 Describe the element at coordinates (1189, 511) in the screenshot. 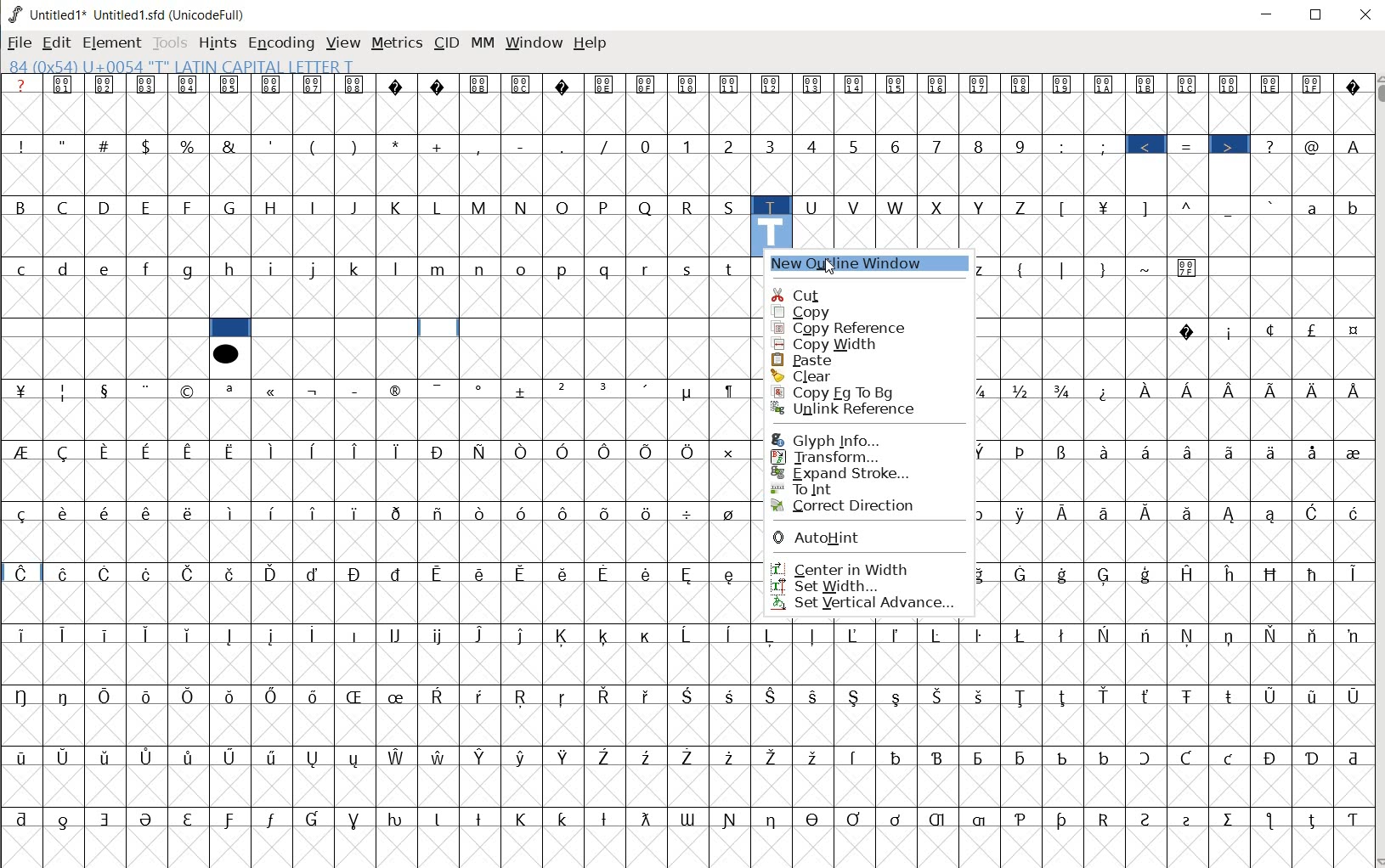

I see `Symbol` at that location.